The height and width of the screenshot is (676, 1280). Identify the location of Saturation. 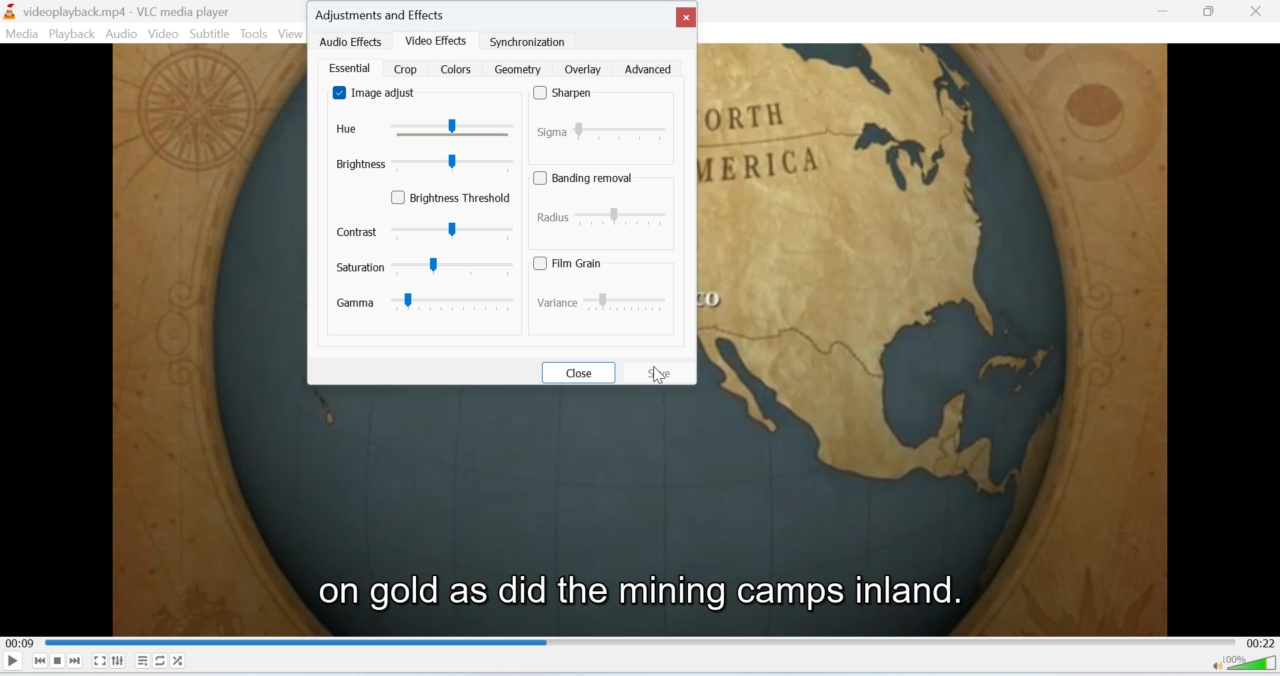
(427, 268).